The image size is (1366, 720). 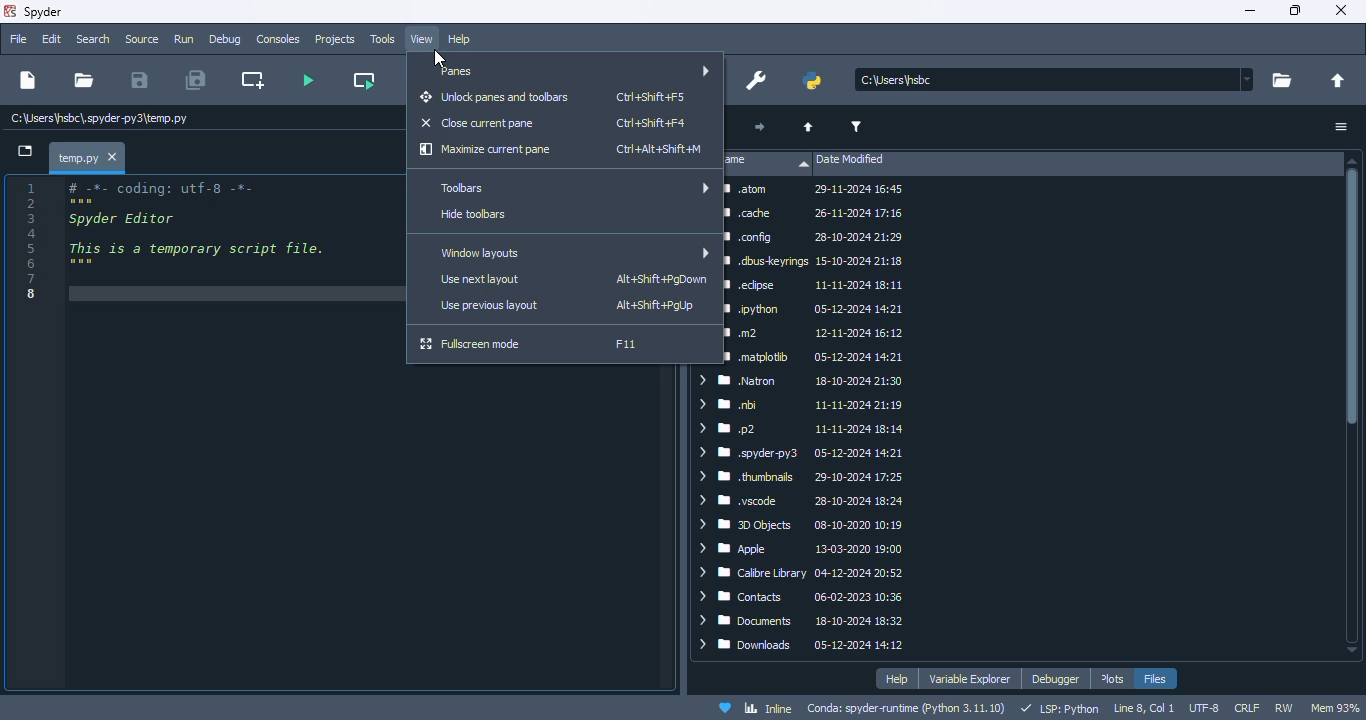 I want to click on panes, so click(x=569, y=72).